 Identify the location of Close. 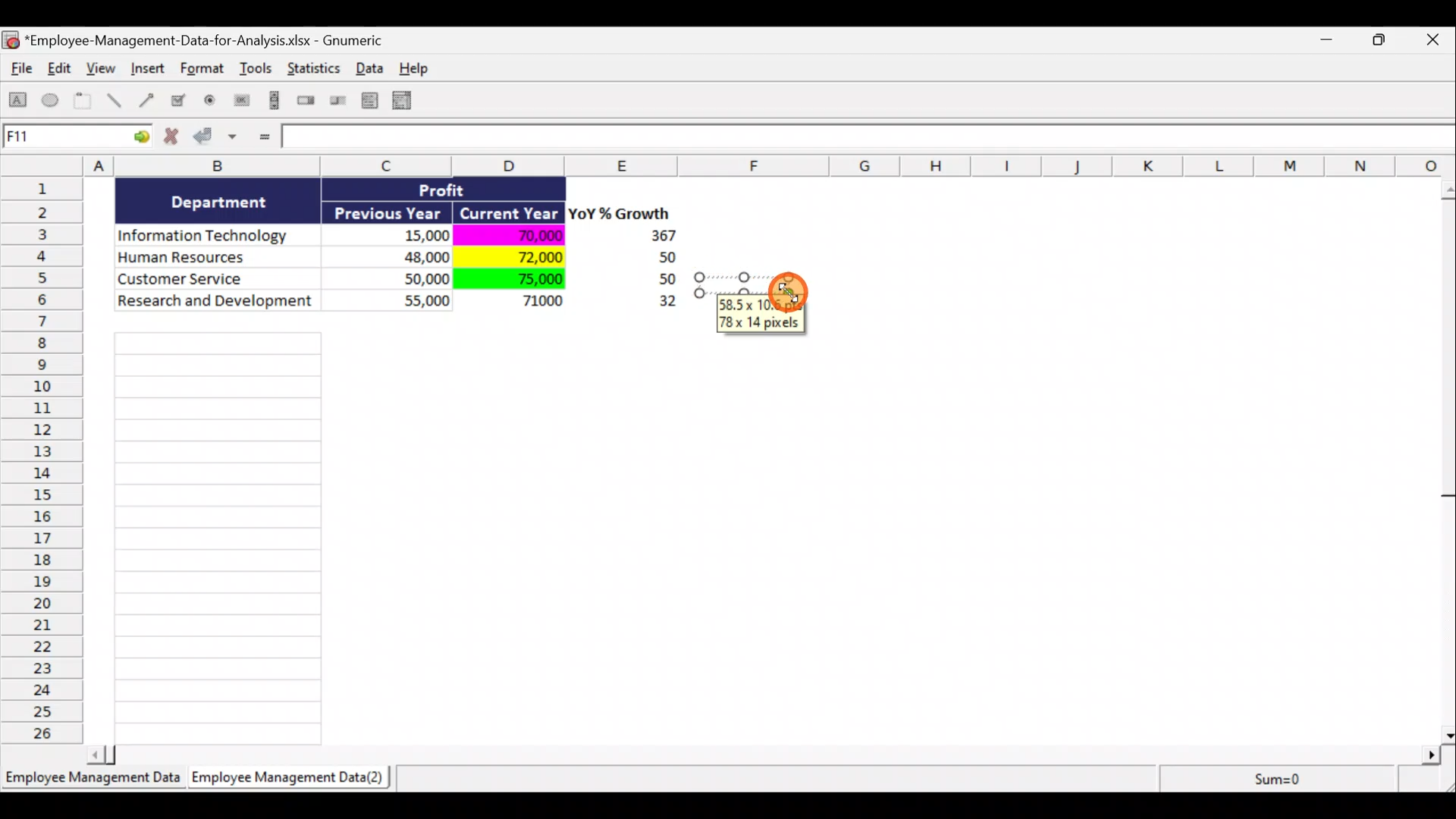
(1436, 41).